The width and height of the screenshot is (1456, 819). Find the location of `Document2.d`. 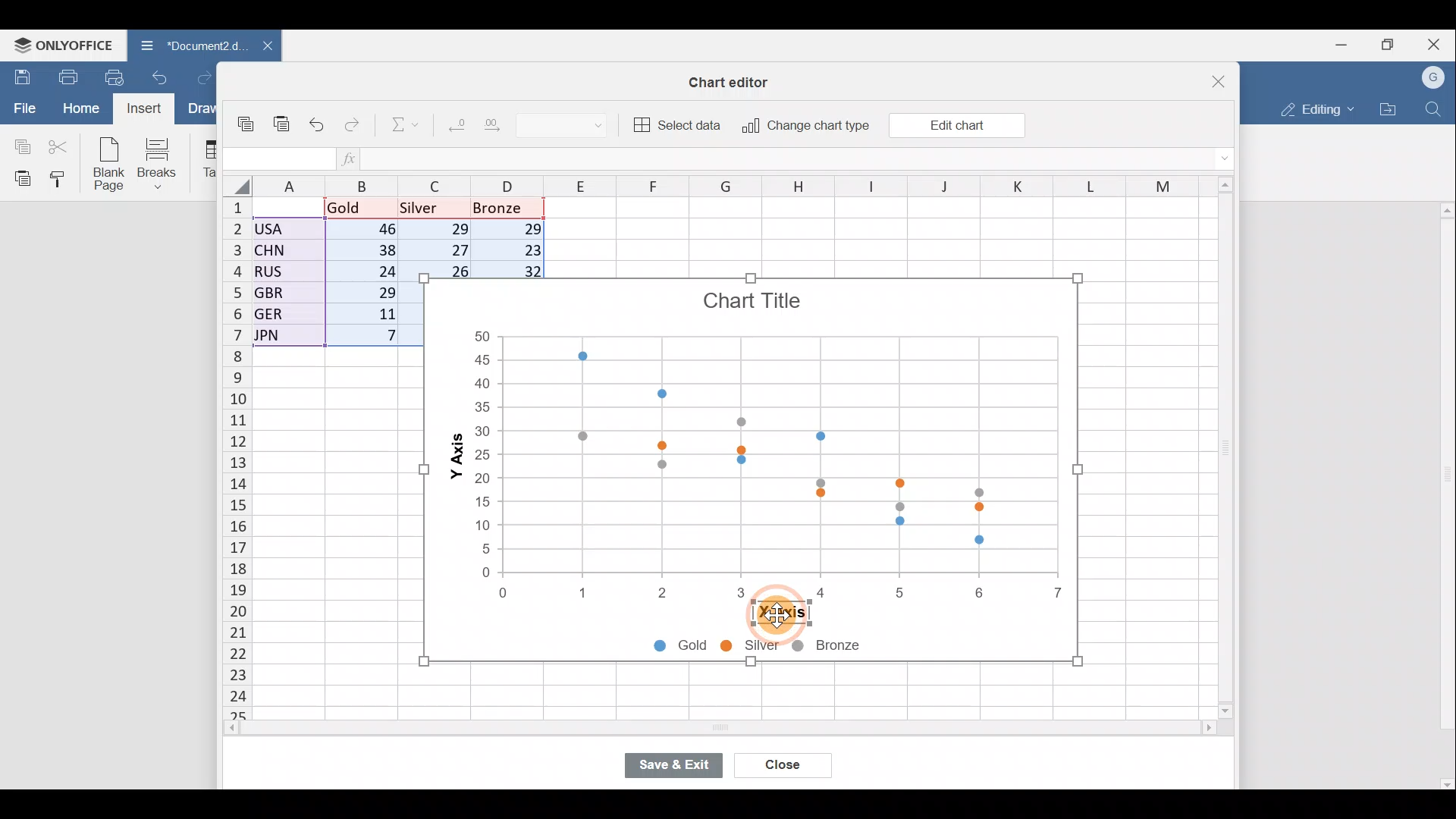

Document2.d is located at coordinates (187, 47).